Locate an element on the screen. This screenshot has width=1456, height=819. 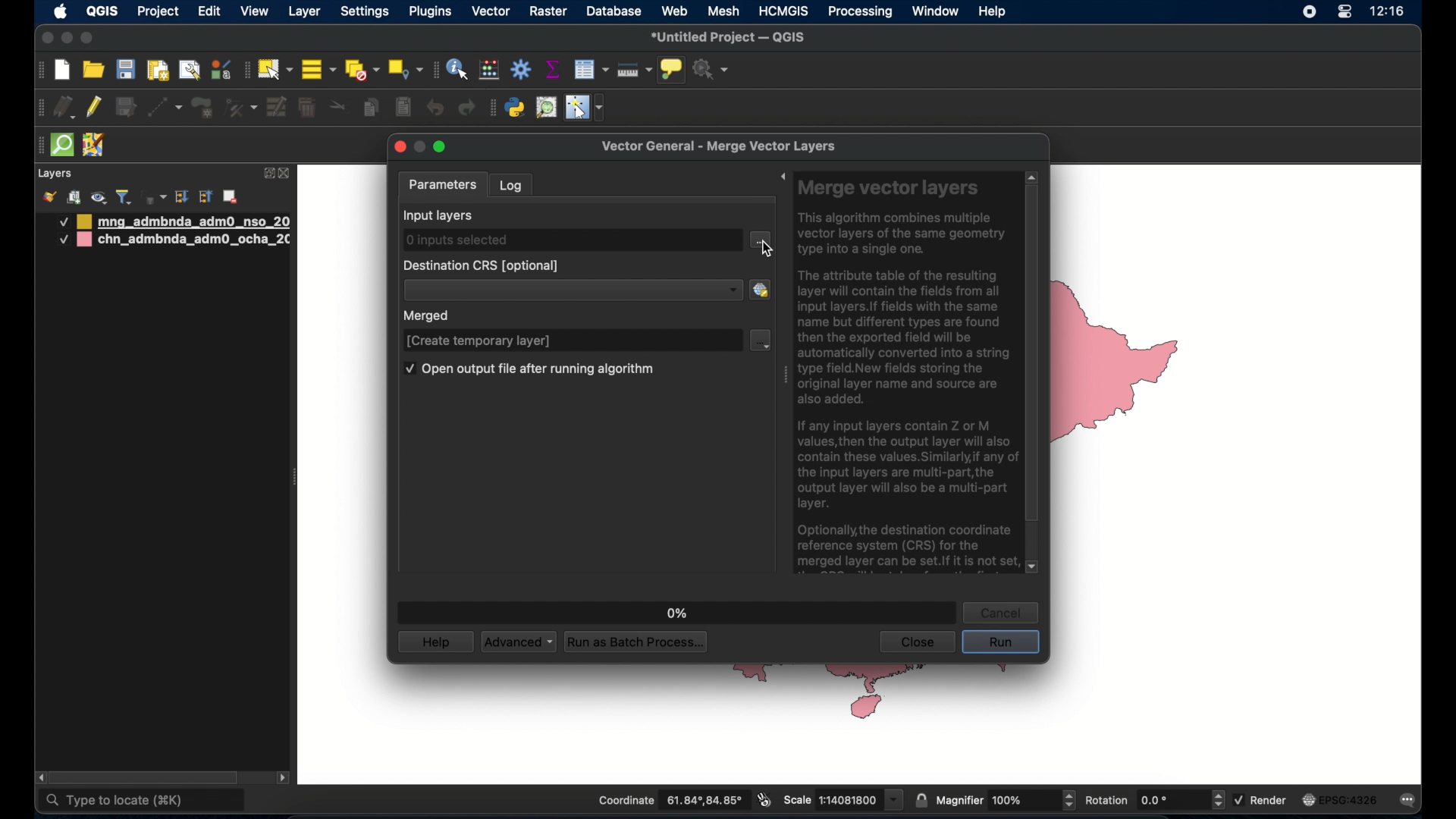
log is located at coordinates (512, 184).